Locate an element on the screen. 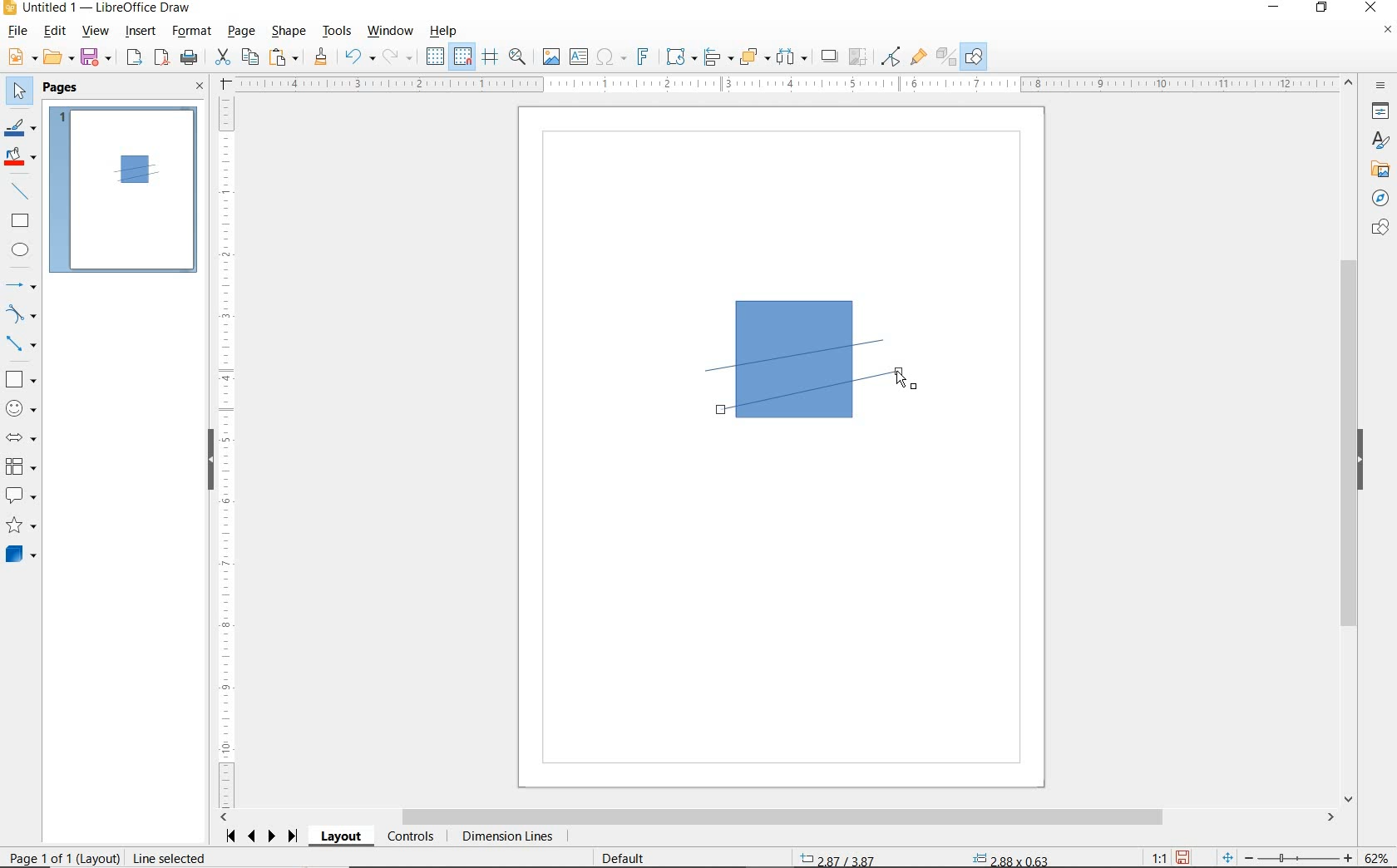 The width and height of the screenshot is (1397, 868). SHOW DRAW FUNCTIONS is located at coordinates (975, 57).